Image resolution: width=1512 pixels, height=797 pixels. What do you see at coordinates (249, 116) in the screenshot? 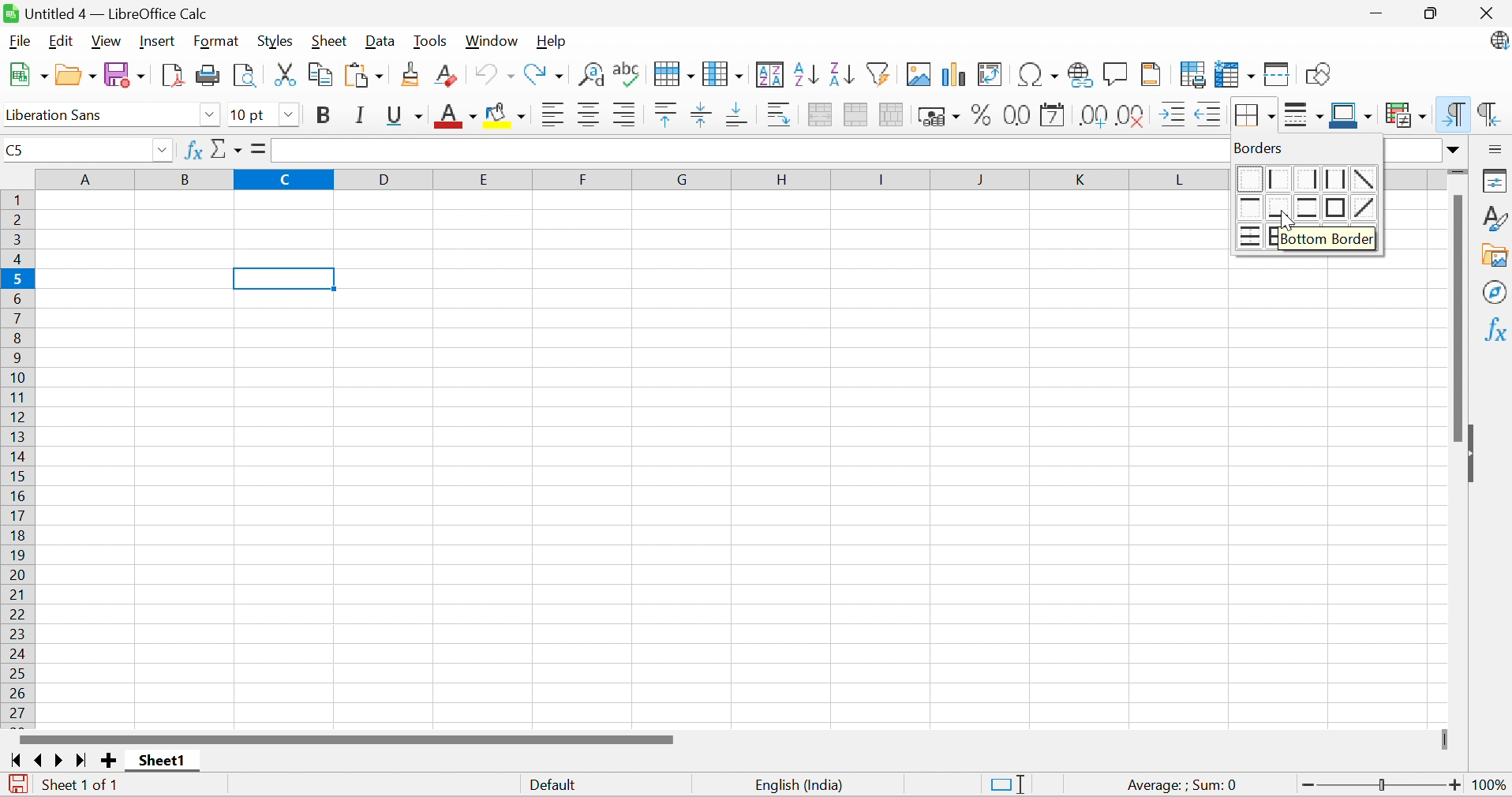
I see `Font size` at bounding box center [249, 116].